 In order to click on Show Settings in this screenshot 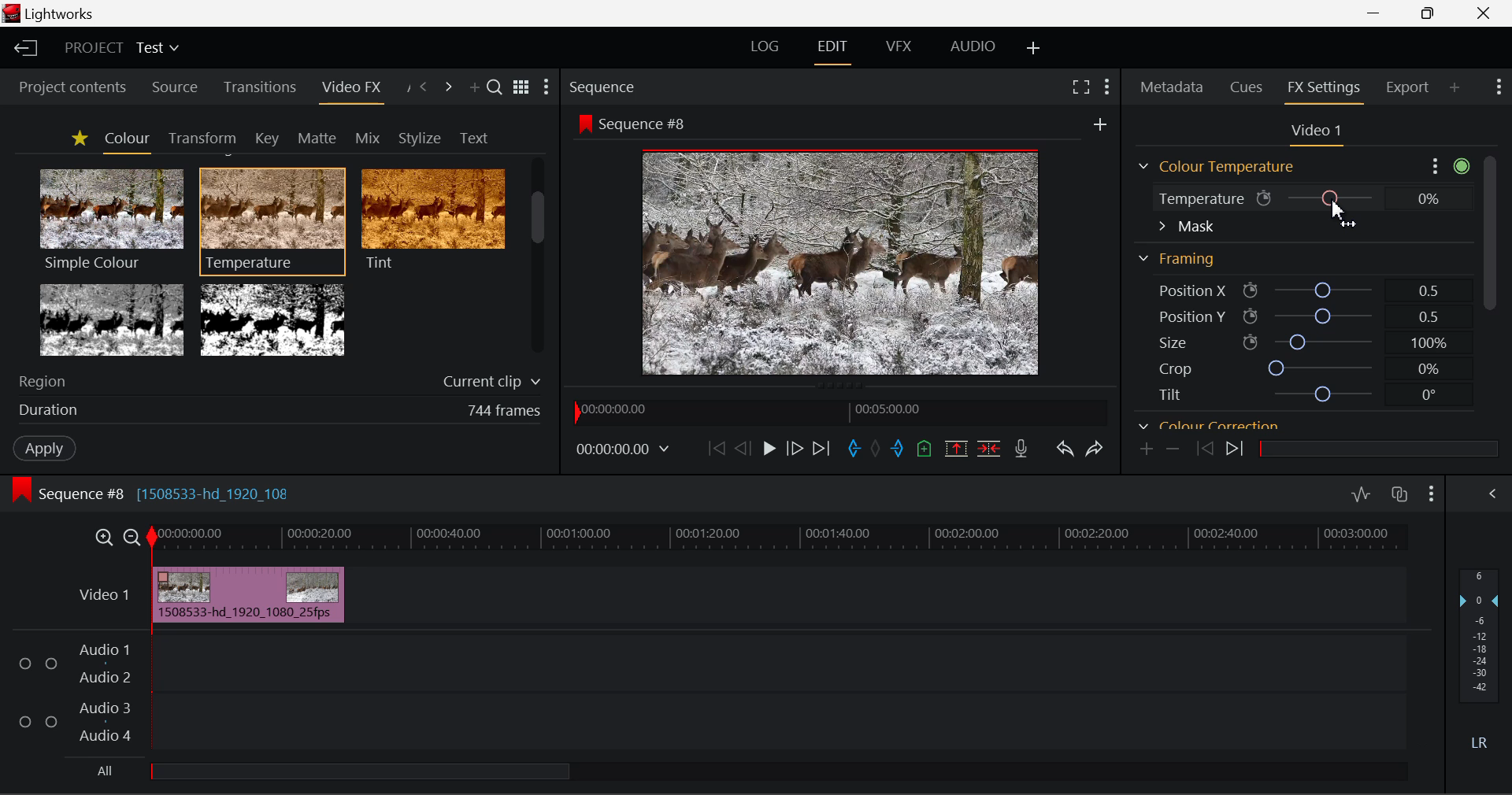, I will do `click(1499, 90)`.